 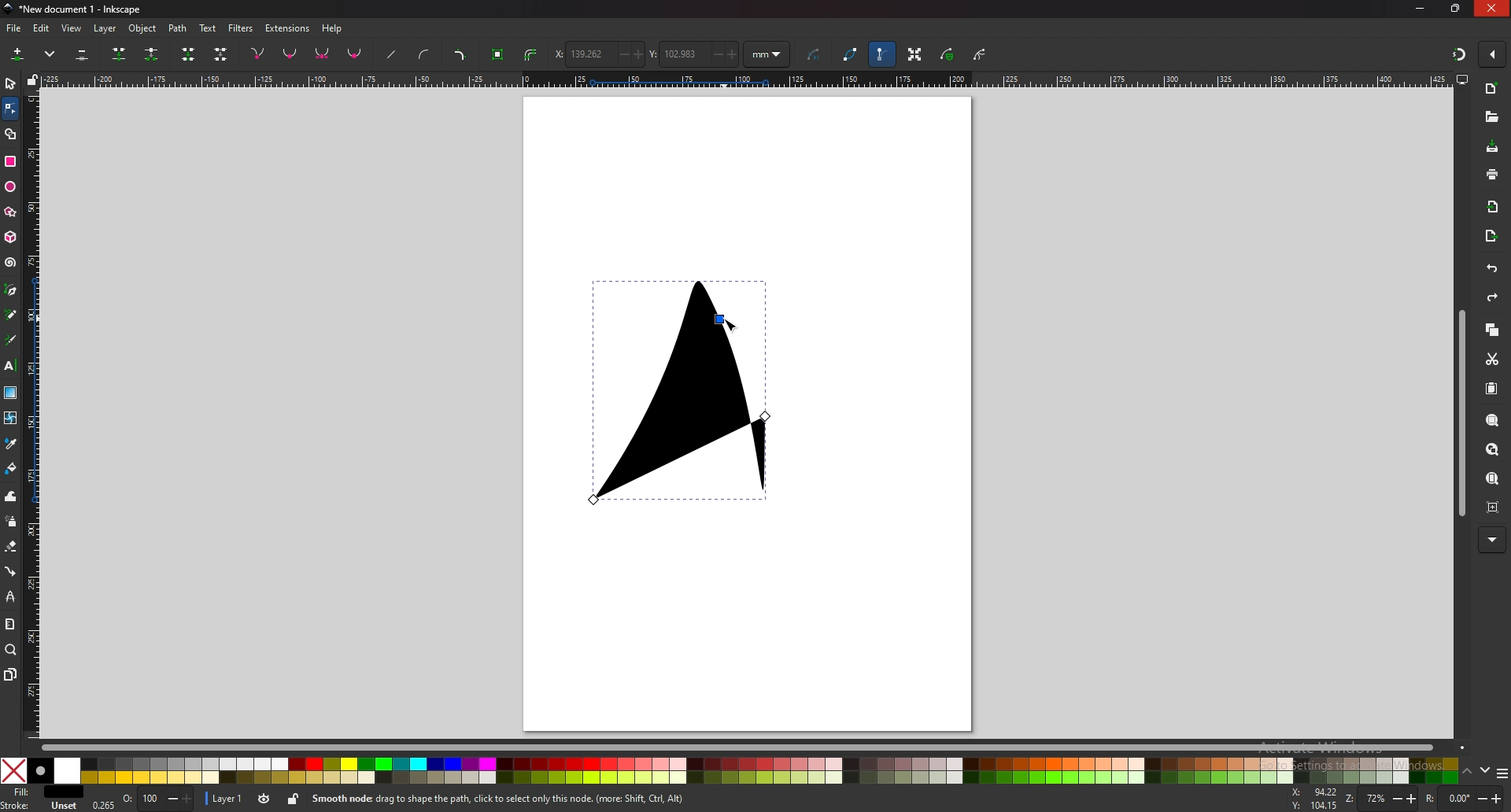 What do you see at coordinates (355, 55) in the screenshot?
I see `make selected nodes auto smooth` at bounding box center [355, 55].